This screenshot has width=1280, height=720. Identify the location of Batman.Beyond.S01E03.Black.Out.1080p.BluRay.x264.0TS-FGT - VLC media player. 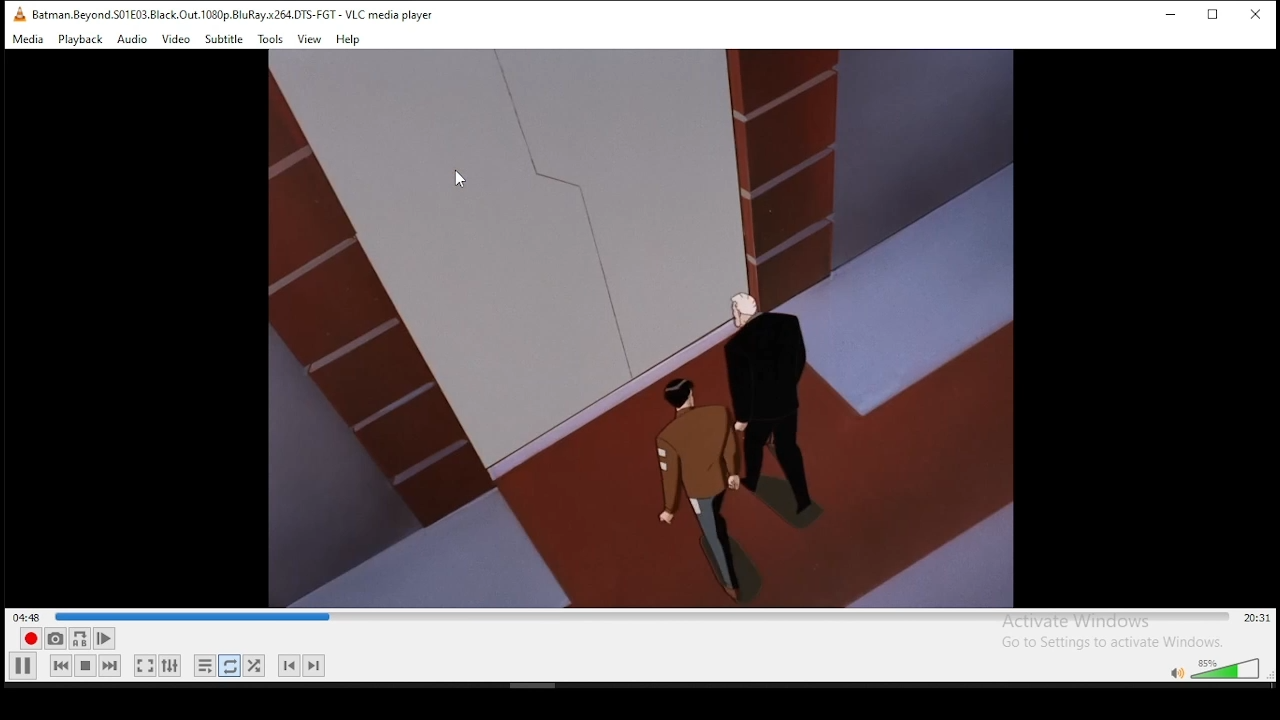
(223, 15).